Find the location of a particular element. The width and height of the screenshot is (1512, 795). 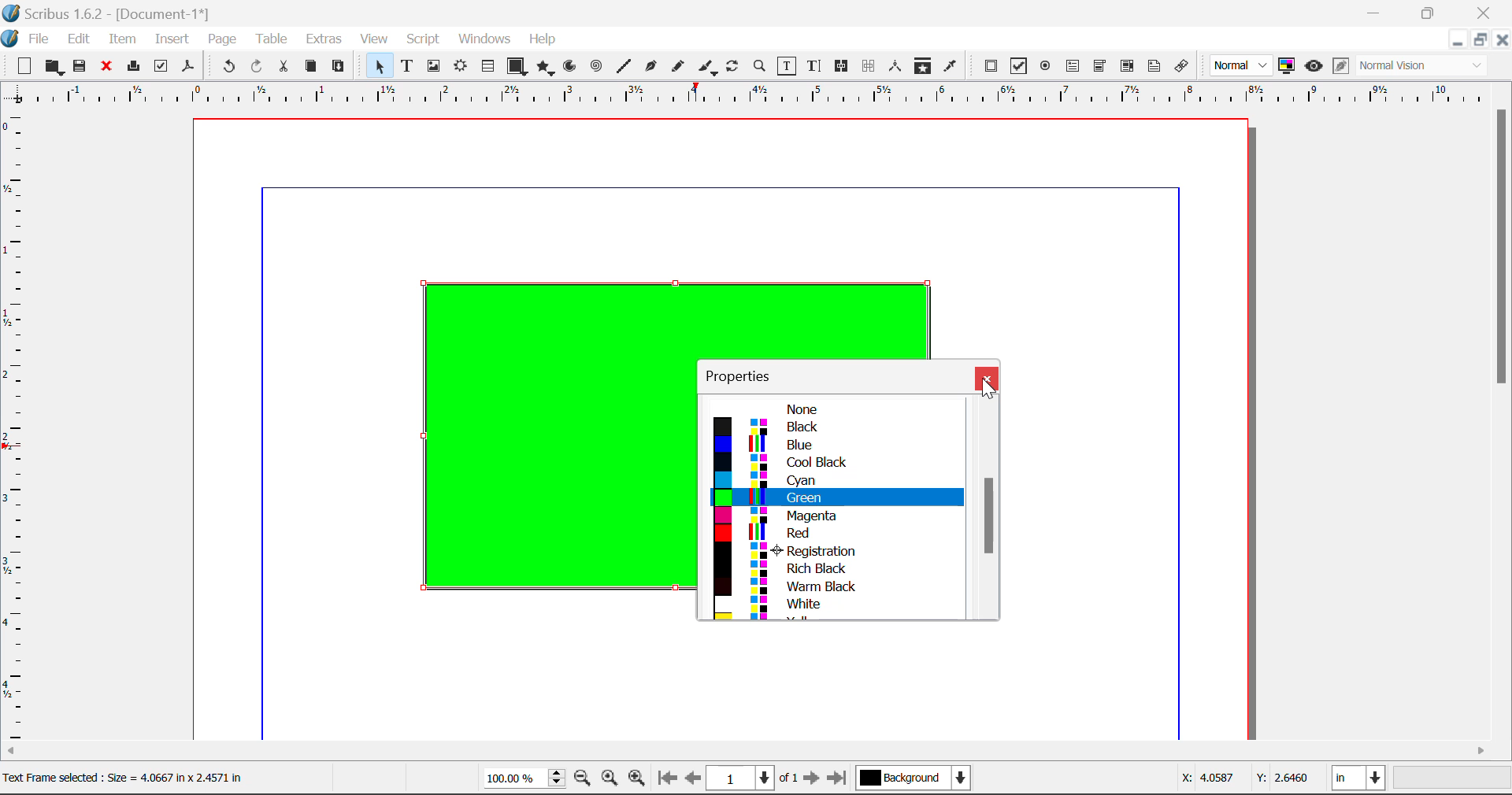

Preview Mode is located at coordinates (1314, 66).